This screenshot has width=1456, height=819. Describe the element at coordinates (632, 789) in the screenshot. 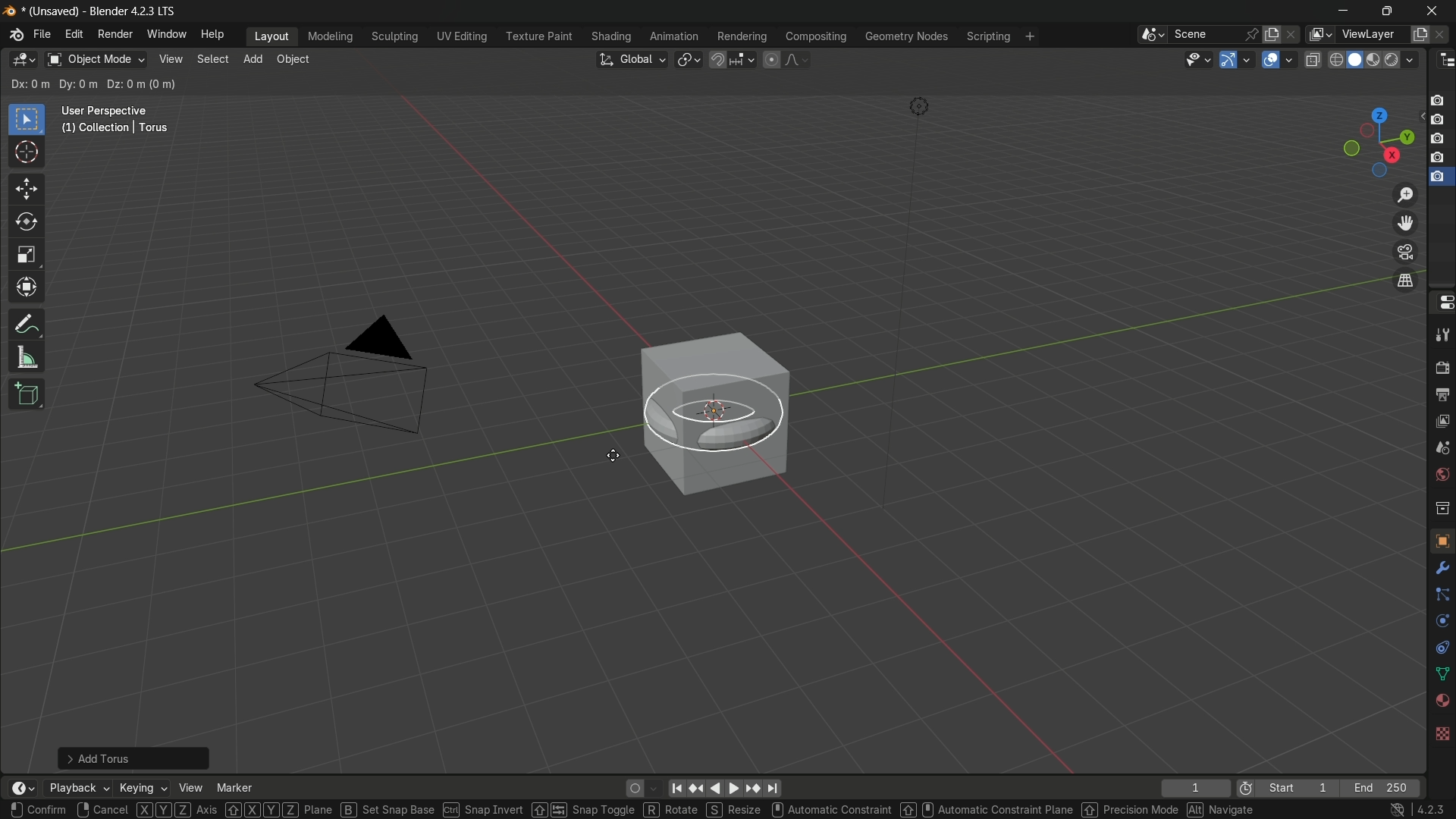

I see `auto keying` at that location.